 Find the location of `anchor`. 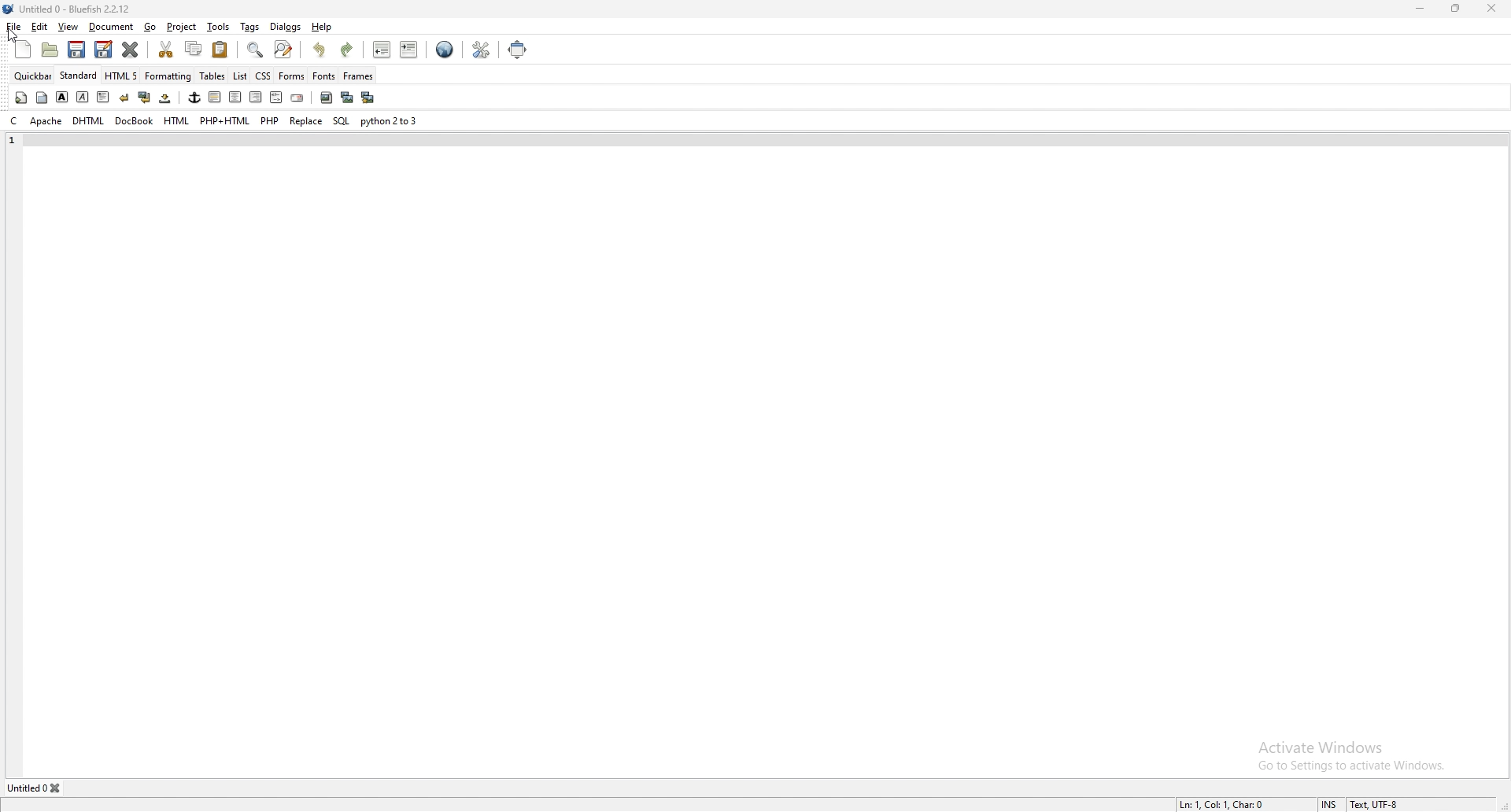

anchor is located at coordinates (194, 98).